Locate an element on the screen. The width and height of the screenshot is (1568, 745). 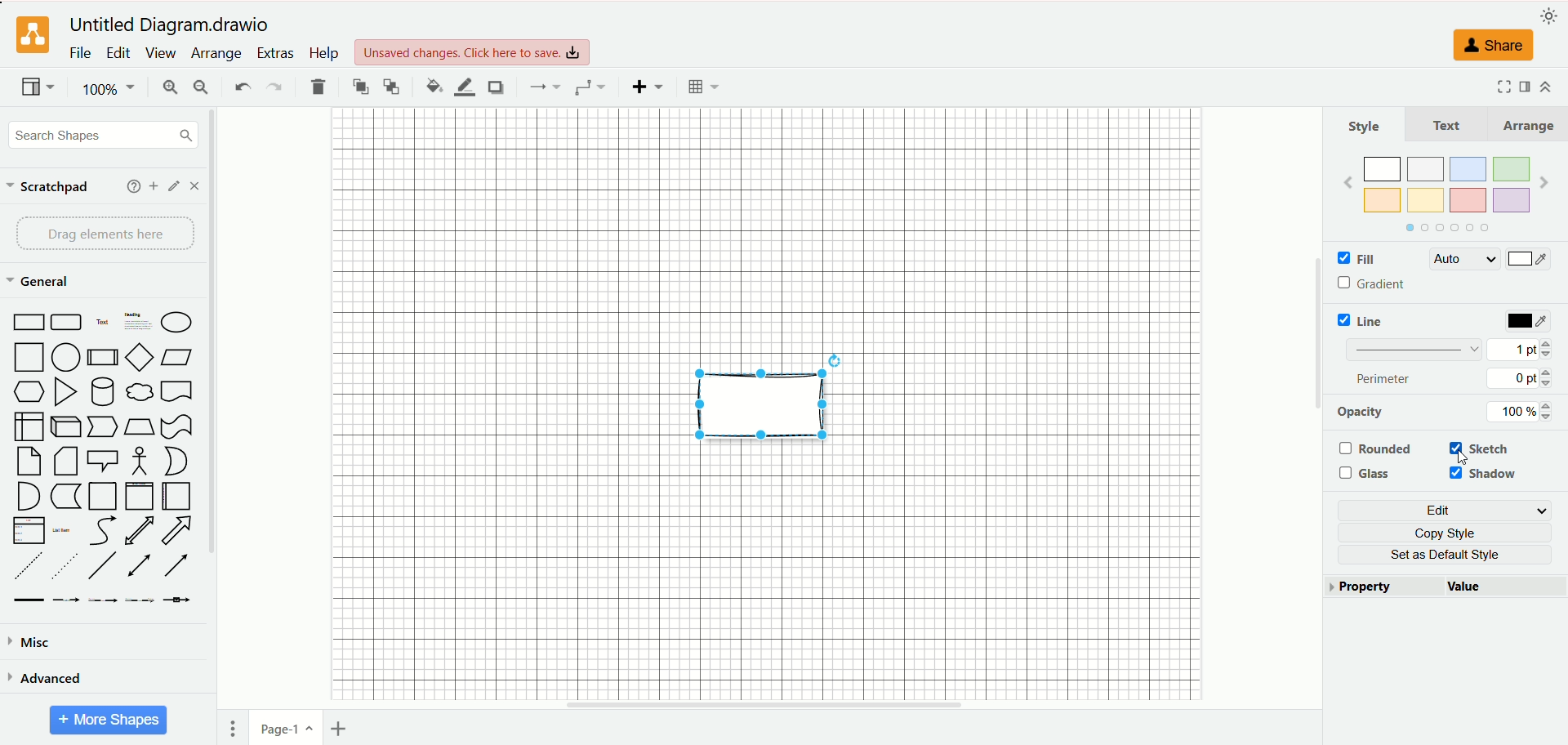
horizontal scroll bar is located at coordinates (765, 705).